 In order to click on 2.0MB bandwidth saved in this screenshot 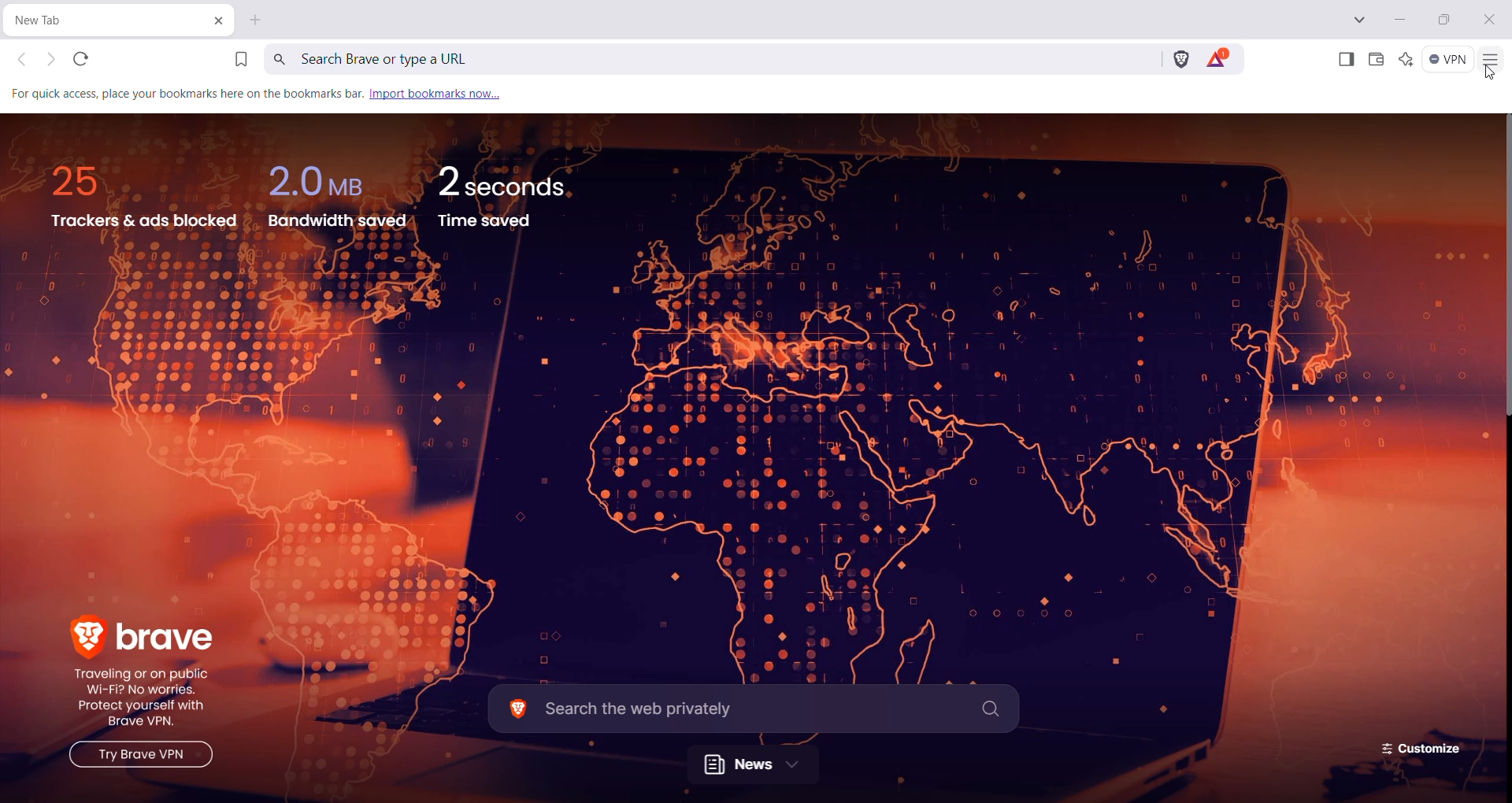, I will do `click(337, 198)`.